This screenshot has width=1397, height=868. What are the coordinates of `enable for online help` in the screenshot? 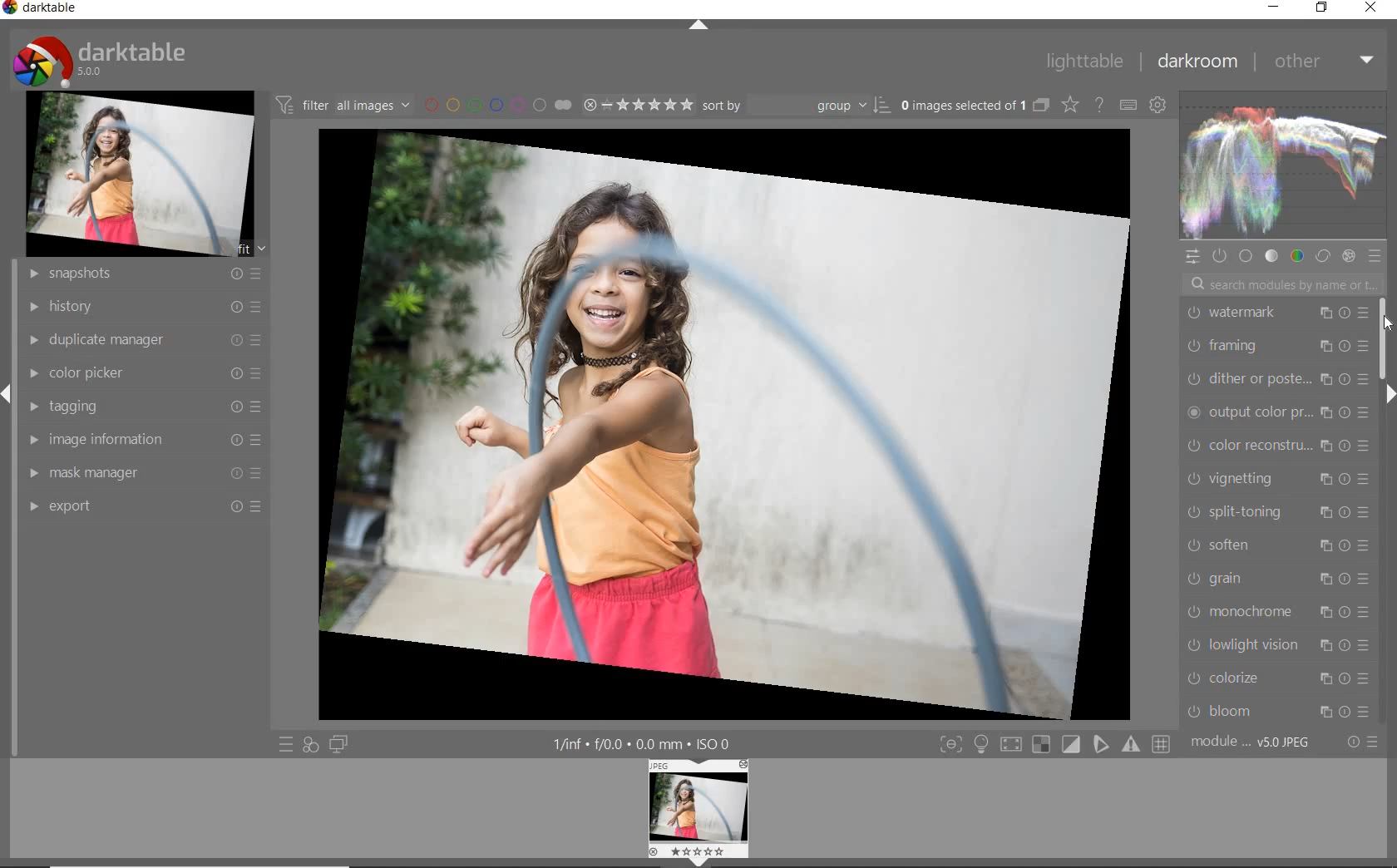 It's located at (1099, 105).